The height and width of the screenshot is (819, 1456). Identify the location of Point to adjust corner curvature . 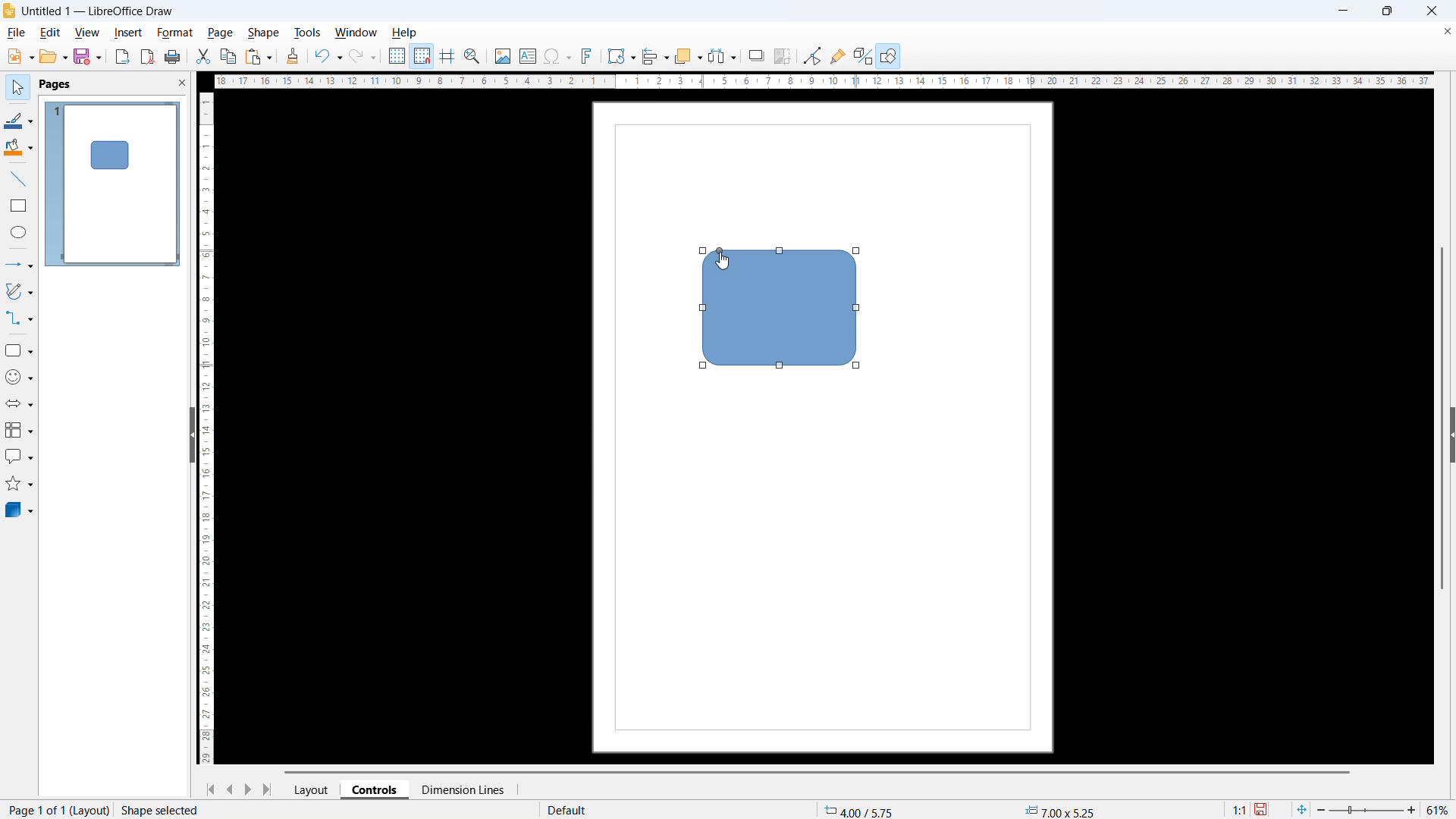
(717, 243).